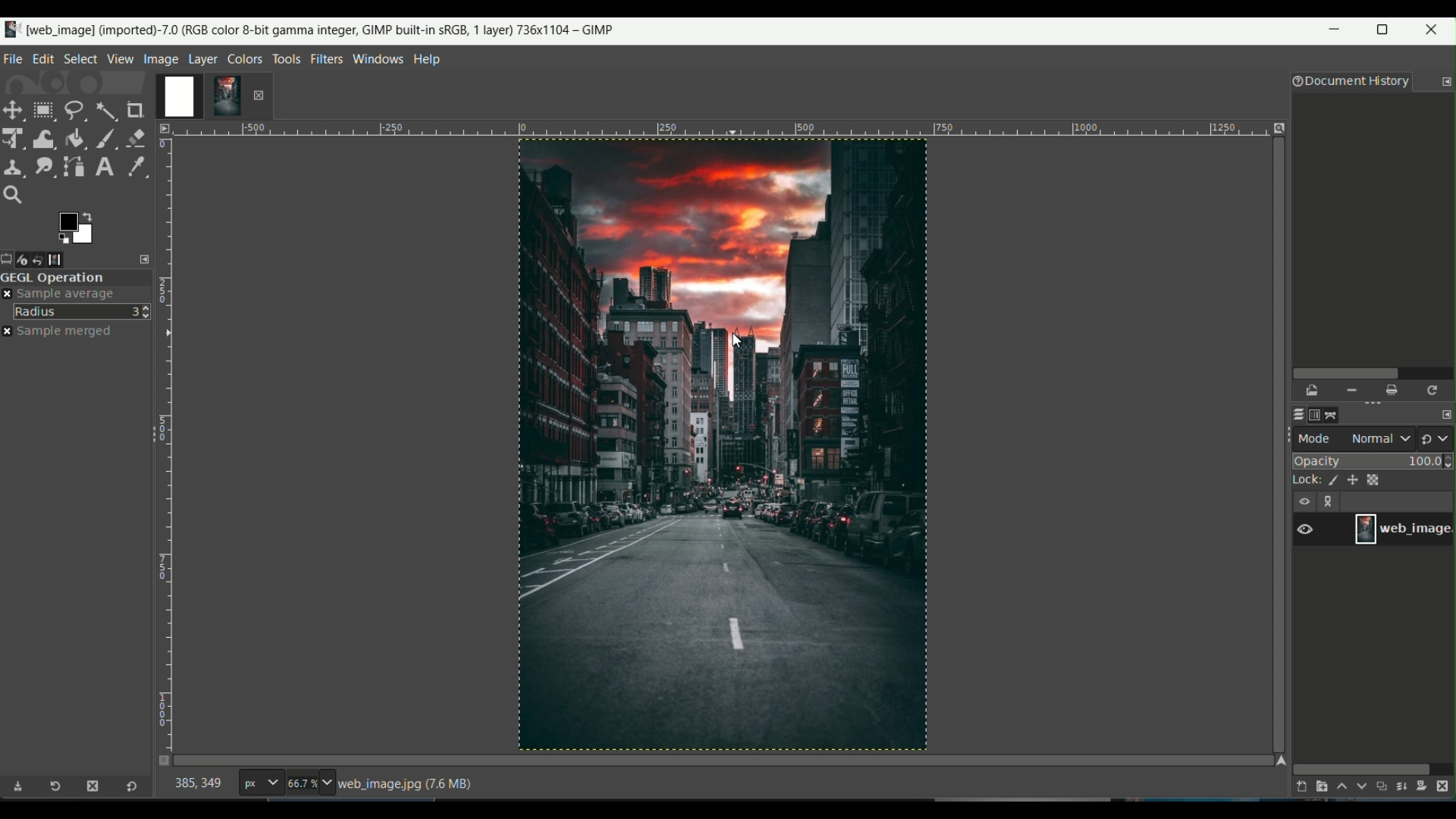  Describe the element at coordinates (128, 788) in the screenshot. I see `restore to default values` at that location.